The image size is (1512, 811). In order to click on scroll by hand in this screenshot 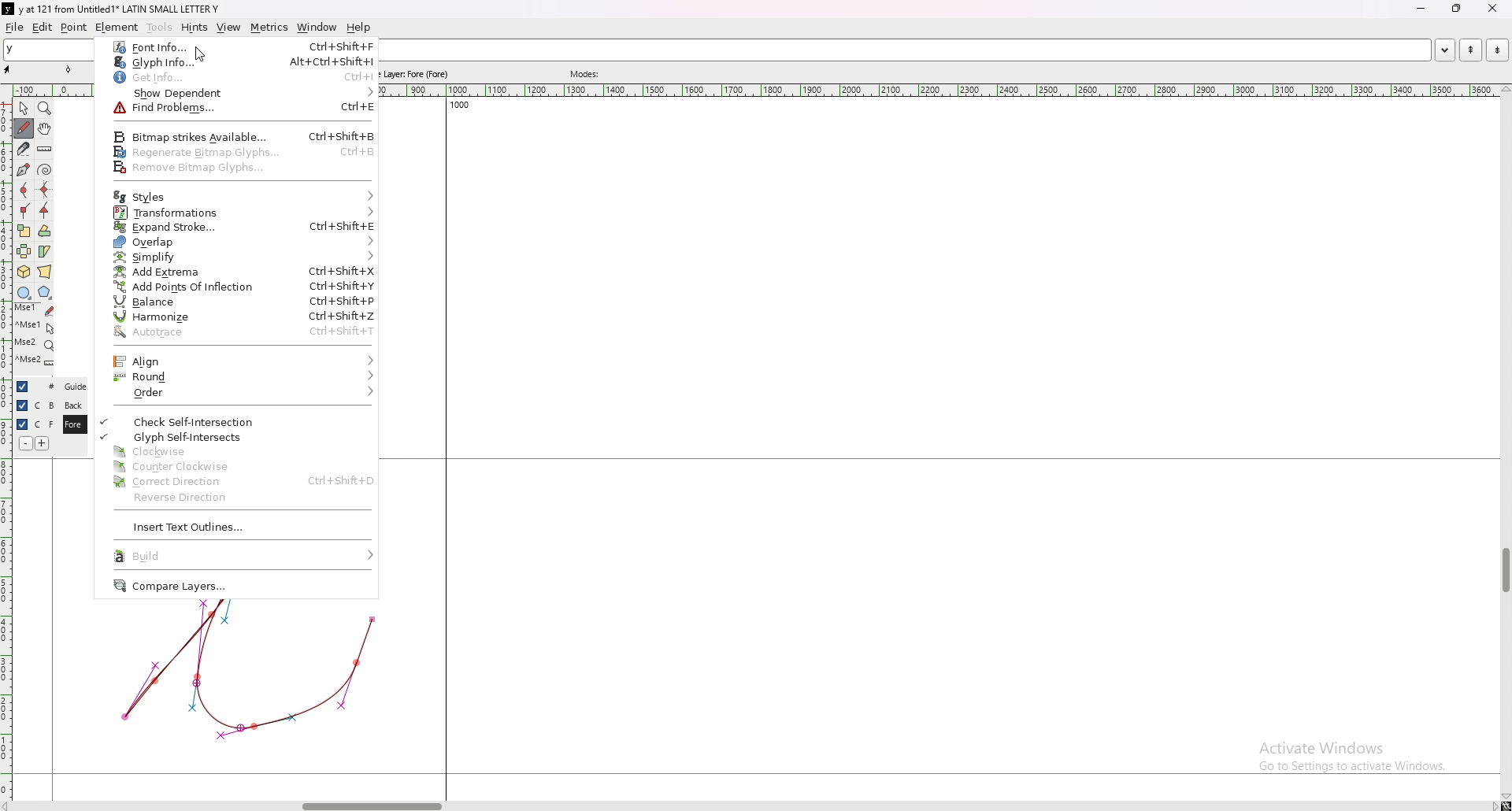, I will do `click(45, 129)`.